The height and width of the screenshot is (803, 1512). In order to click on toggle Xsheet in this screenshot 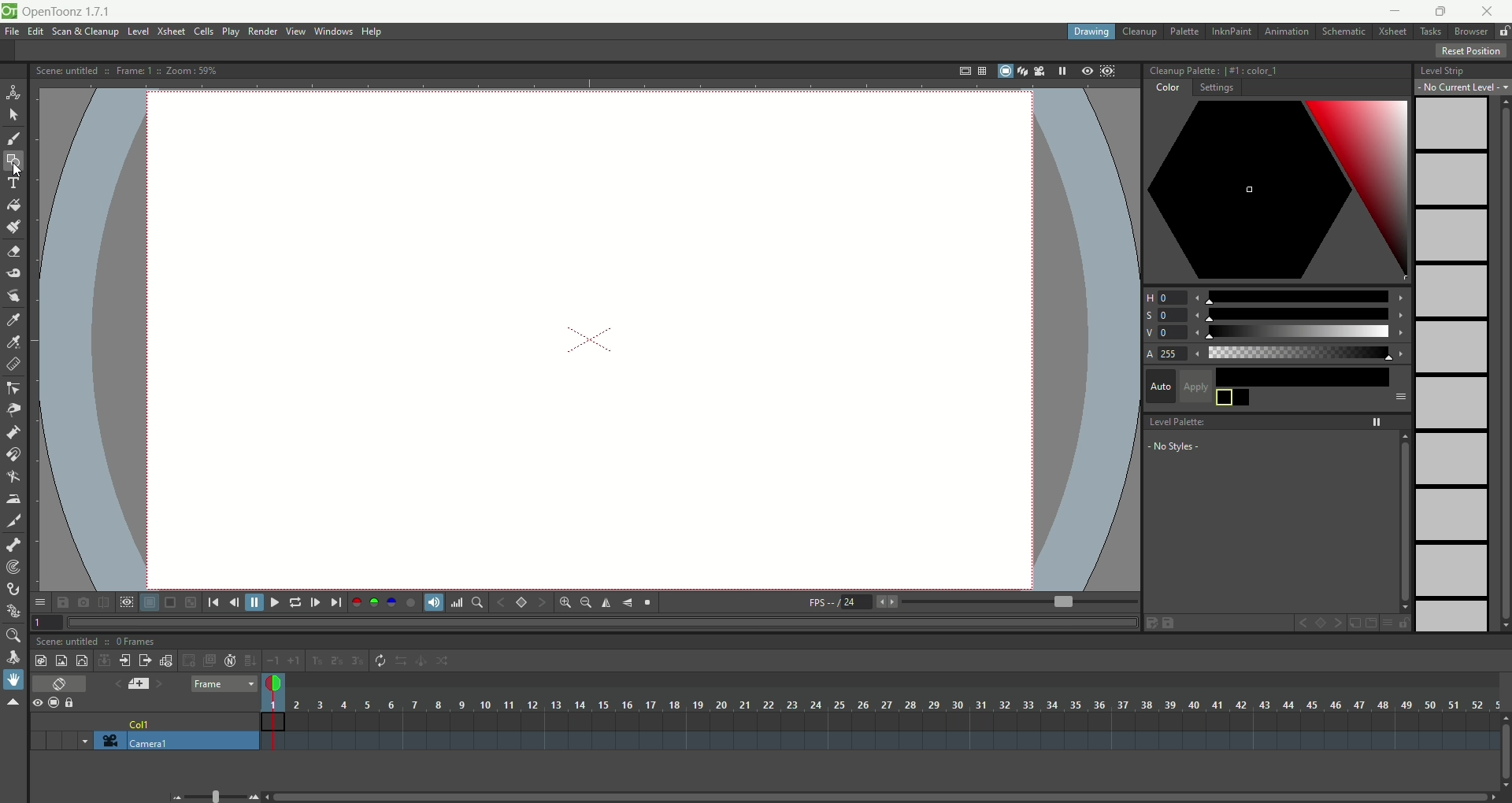, I will do `click(61, 685)`.